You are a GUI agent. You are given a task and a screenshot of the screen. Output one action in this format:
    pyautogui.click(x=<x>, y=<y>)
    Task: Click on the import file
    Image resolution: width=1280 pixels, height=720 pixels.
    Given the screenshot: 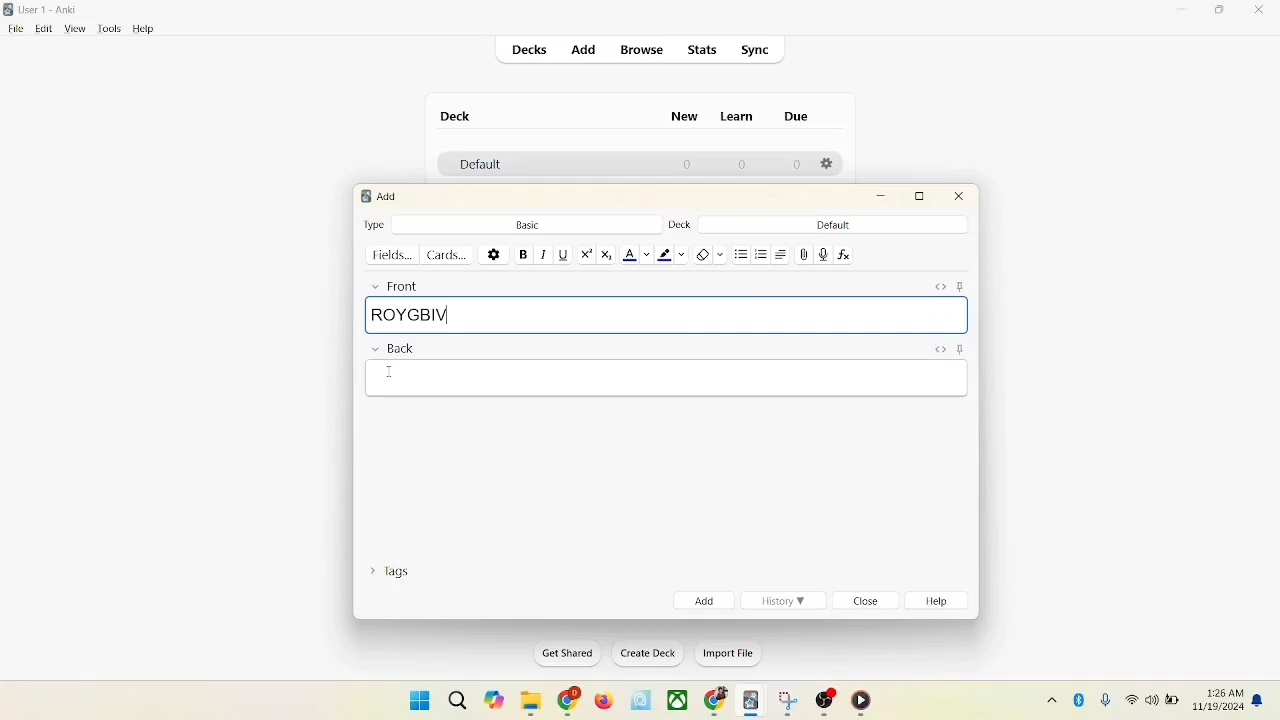 What is the action you would take?
    pyautogui.click(x=726, y=656)
    